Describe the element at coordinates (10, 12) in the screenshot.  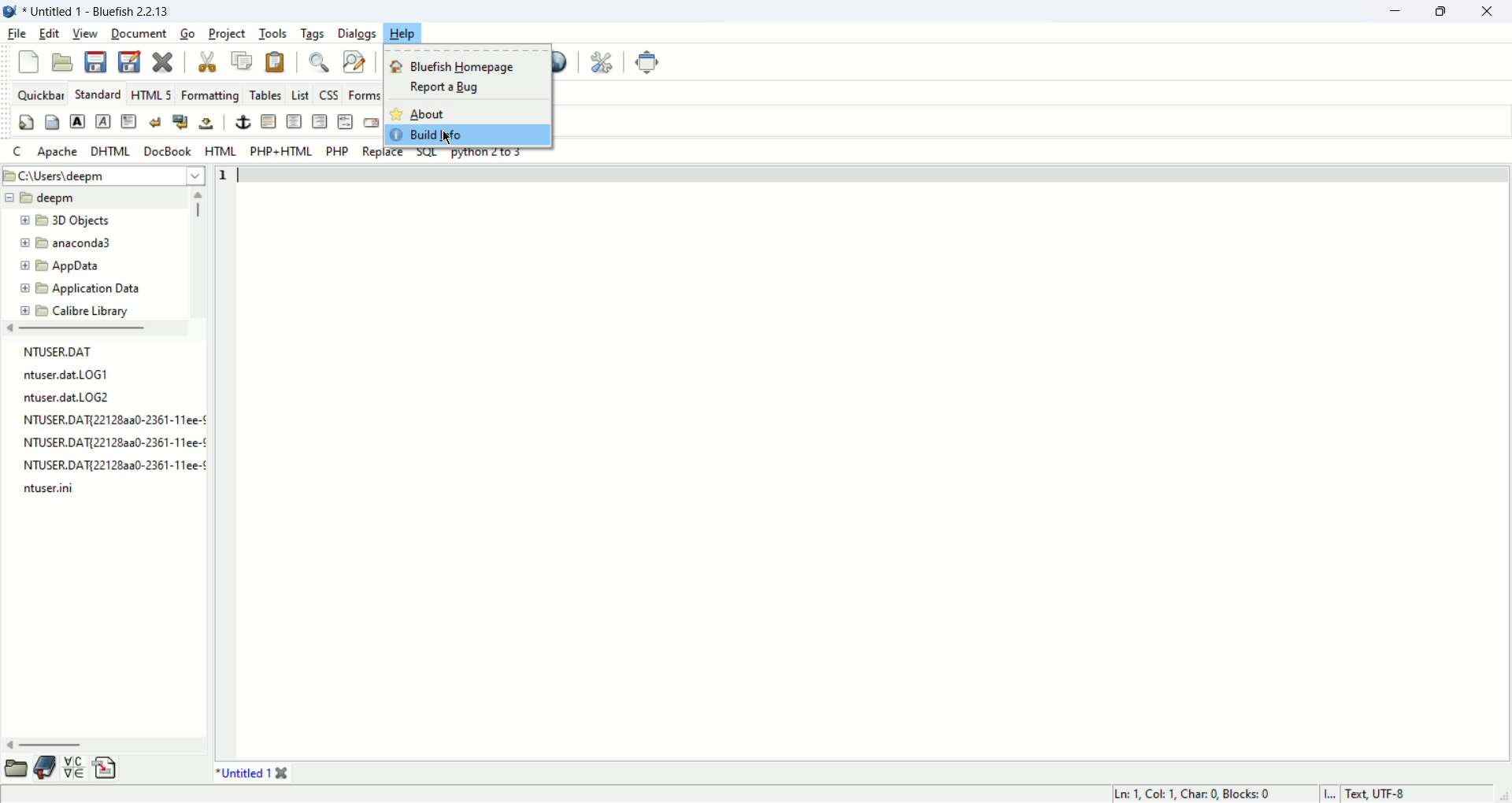
I see `application icon` at that location.